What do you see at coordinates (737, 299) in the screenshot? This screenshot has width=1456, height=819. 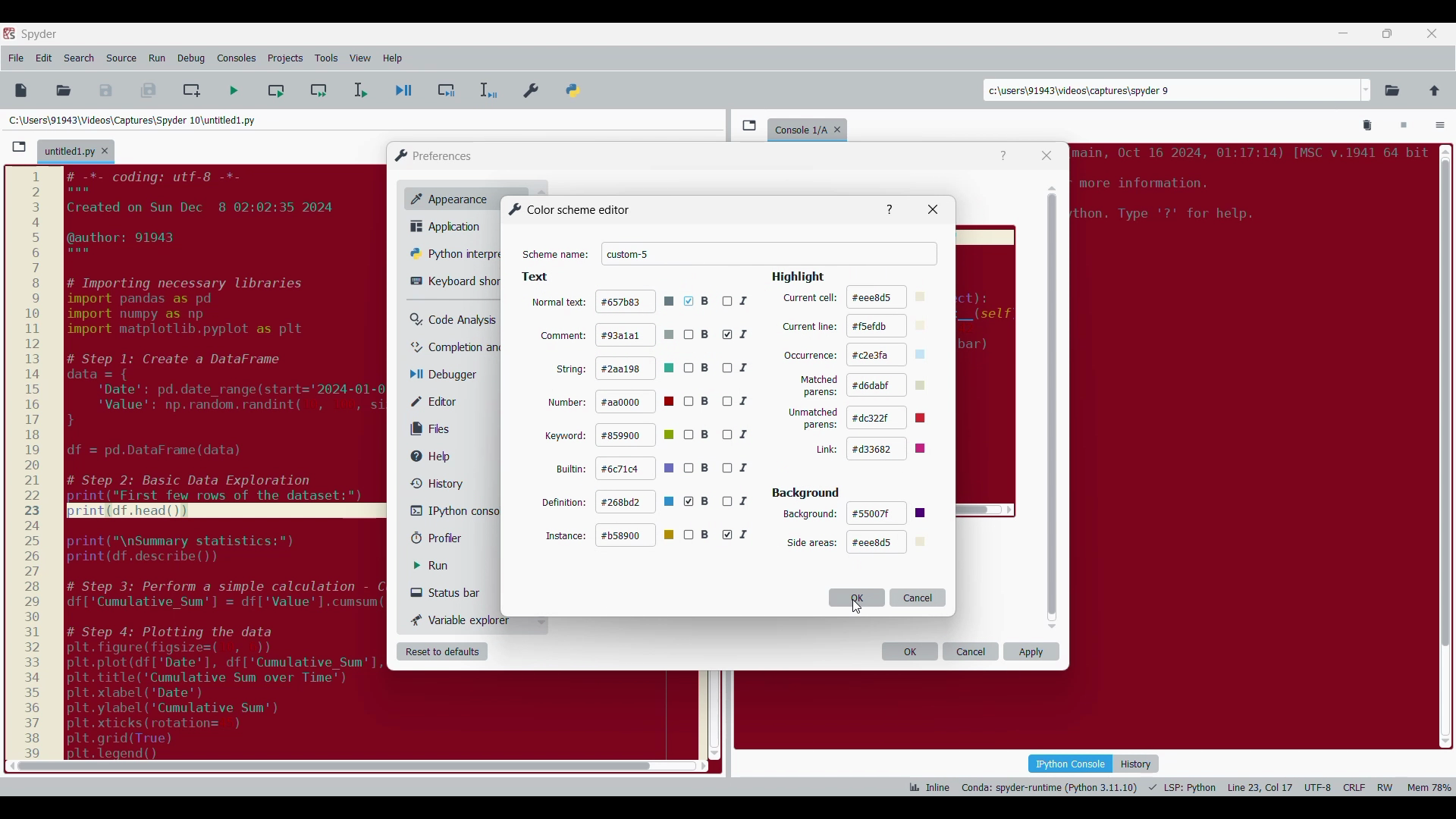 I see `I` at bounding box center [737, 299].